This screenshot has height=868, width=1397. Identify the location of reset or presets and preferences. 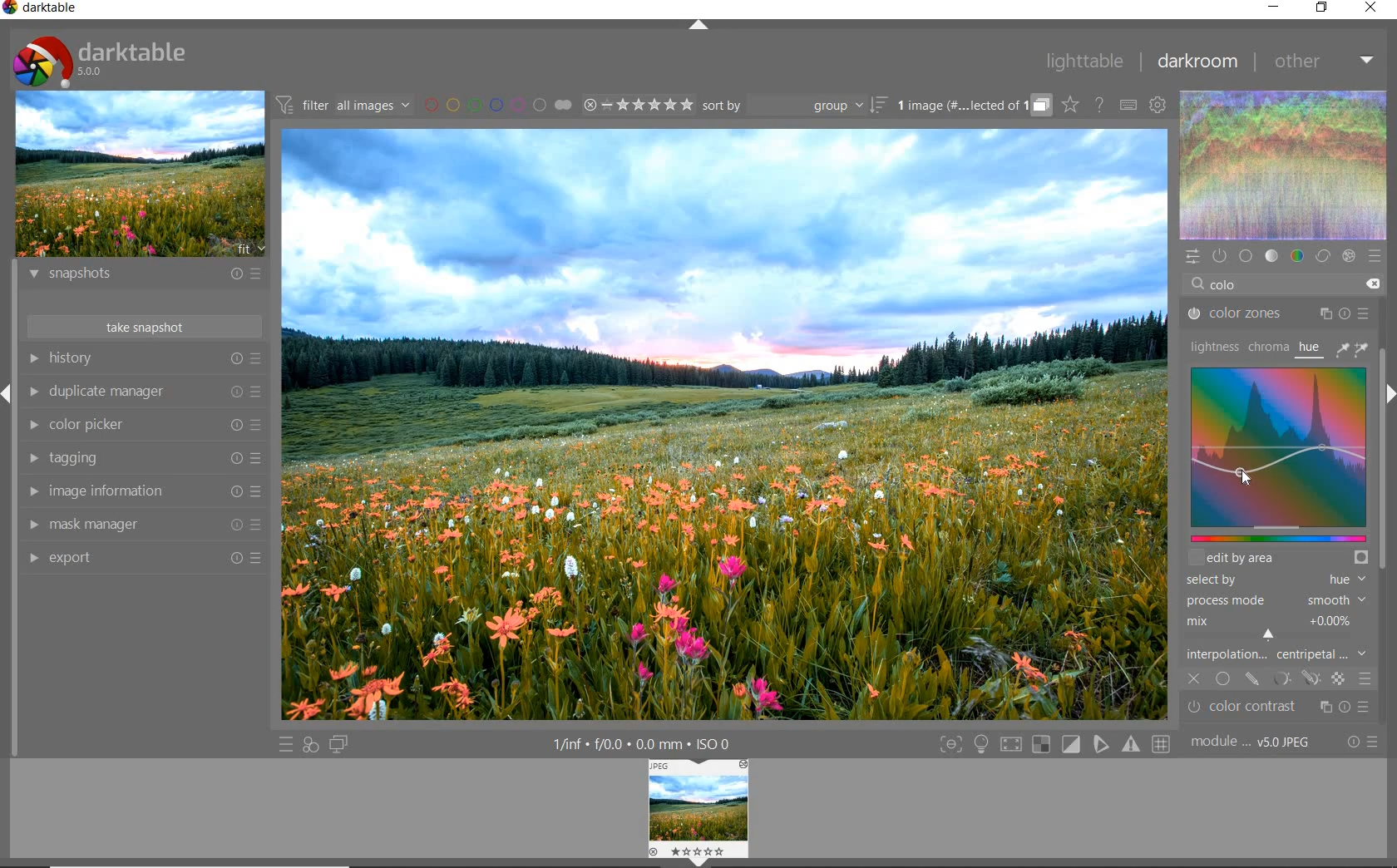
(1364, 742).